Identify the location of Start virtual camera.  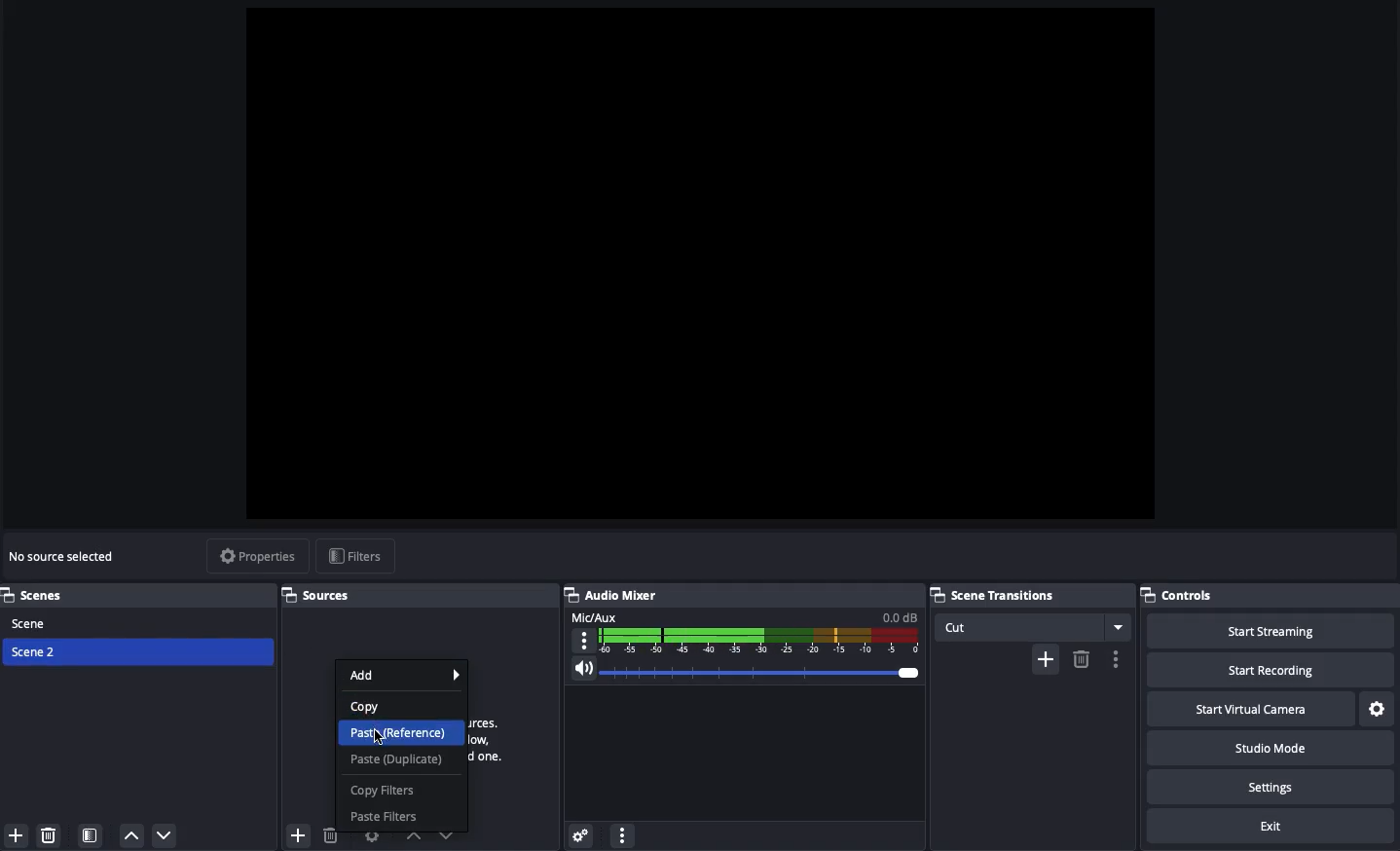
(1247, 707).